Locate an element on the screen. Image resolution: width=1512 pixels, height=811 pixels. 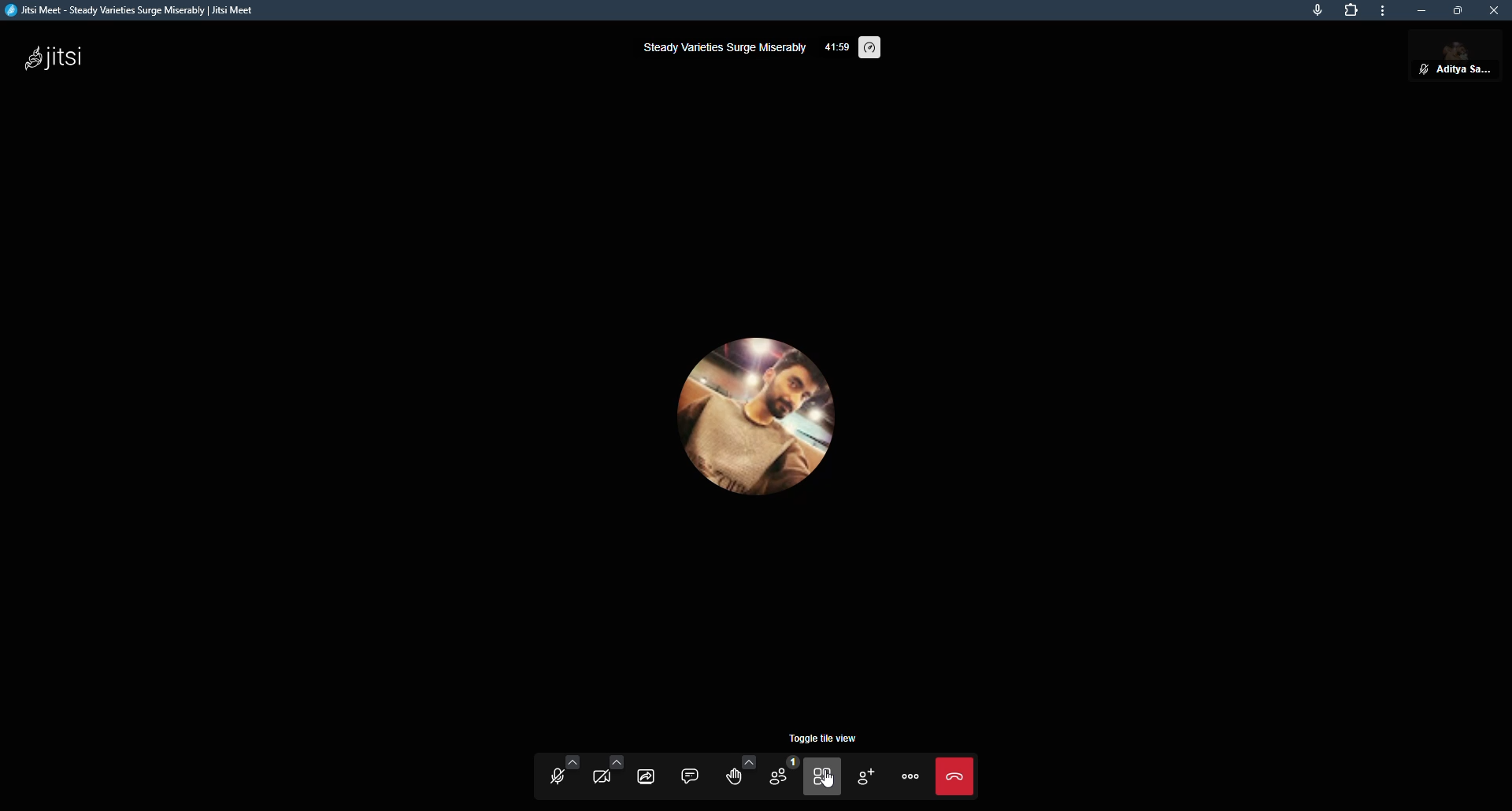
more actions is located at coordinates (910, 774).